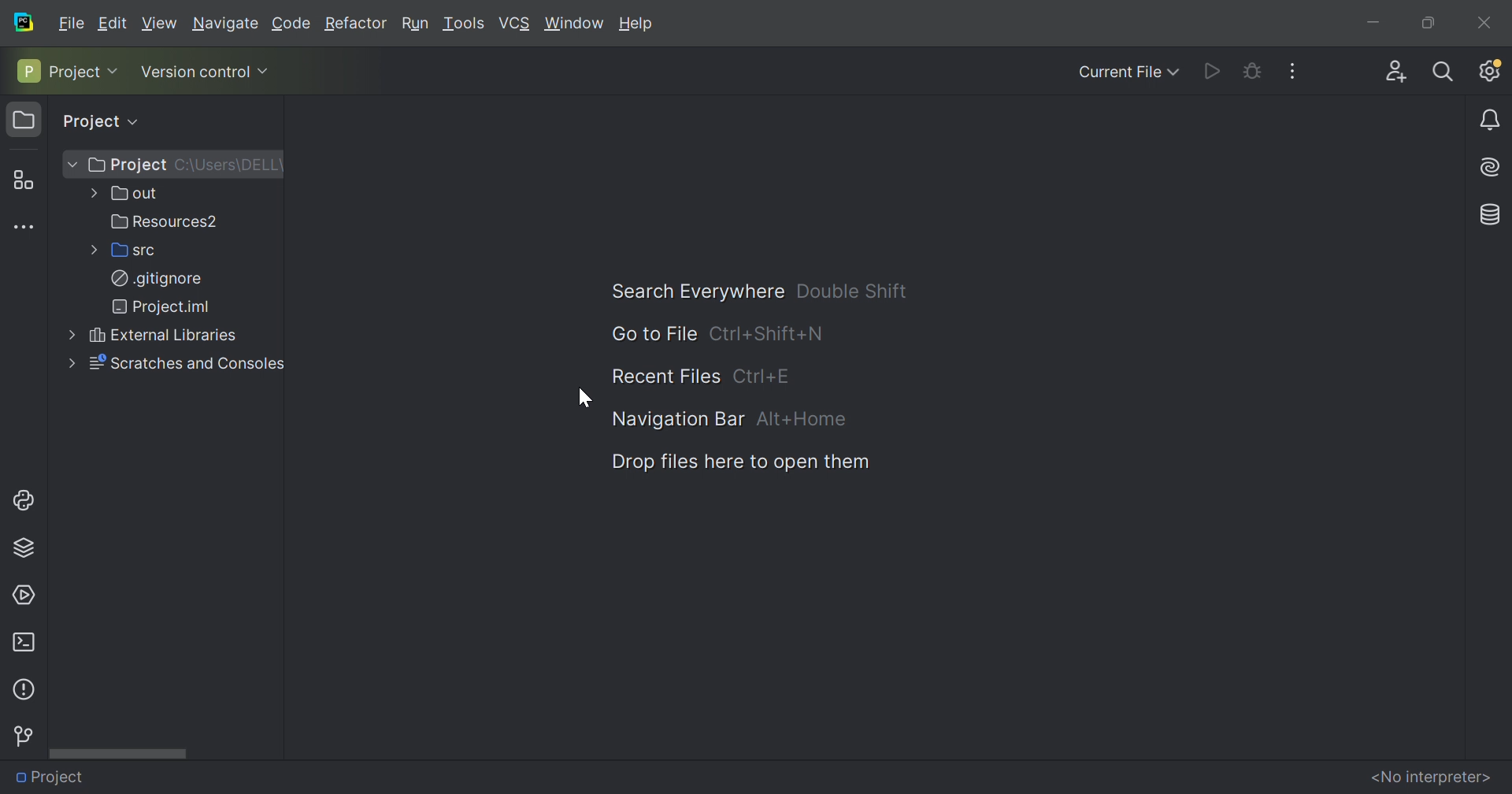 The width and height of the screenshot is (1512, 794). Describe the element at coordinates (160, 336) in the screenshot. I see `External Libraries` at that location.